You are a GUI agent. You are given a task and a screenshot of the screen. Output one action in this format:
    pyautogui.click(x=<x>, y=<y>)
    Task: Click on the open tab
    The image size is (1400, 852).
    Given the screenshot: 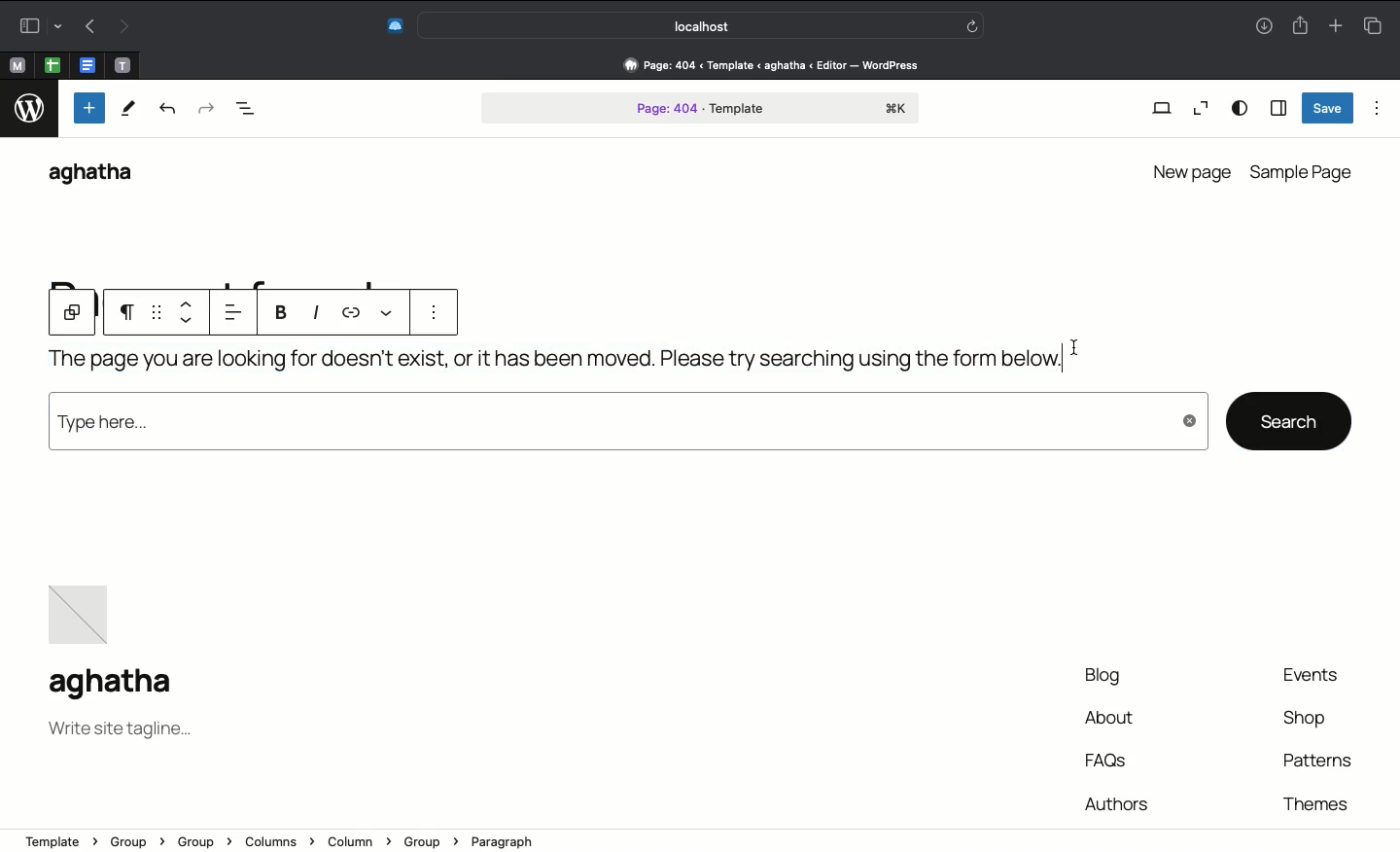 What is the action you would take?
    pyautogui.click(x=122, y=66)
    